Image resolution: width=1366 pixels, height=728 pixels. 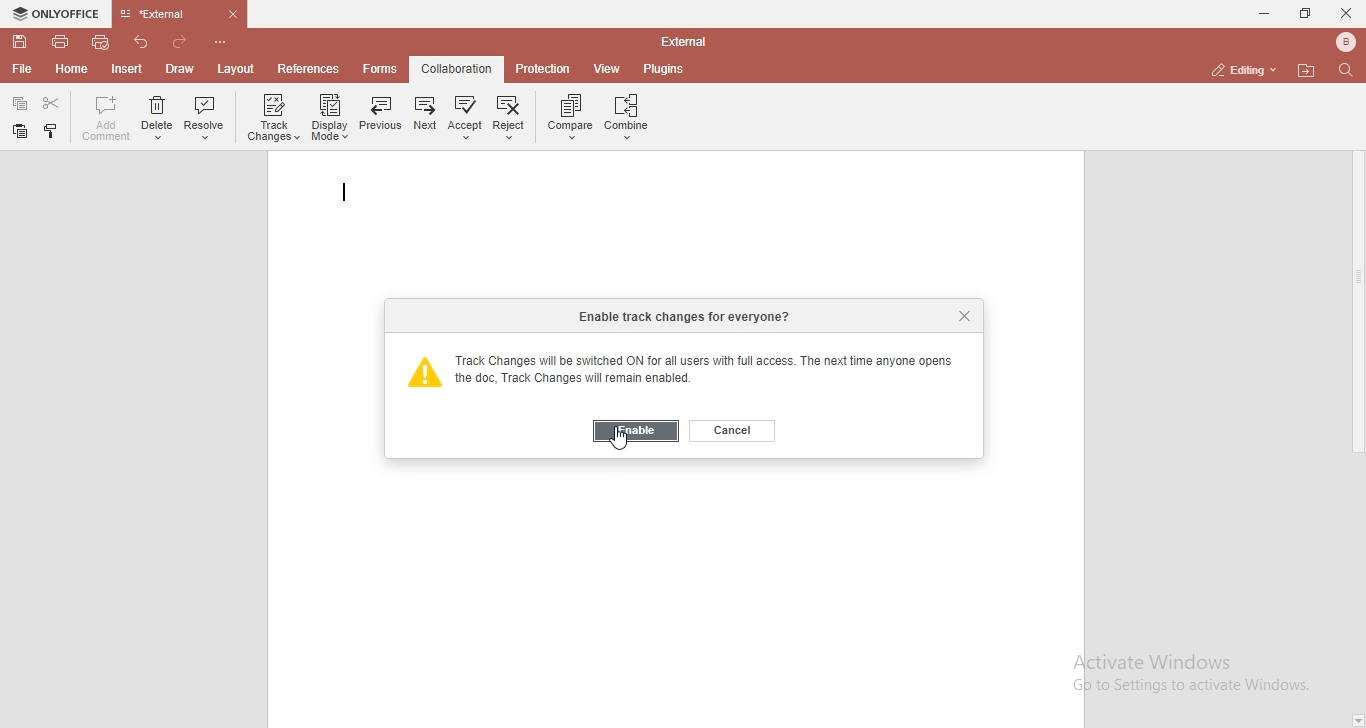 What do you see at coordinates (235, 70) in the screenshot?
I see `layout` at bounding box center [235, 70].